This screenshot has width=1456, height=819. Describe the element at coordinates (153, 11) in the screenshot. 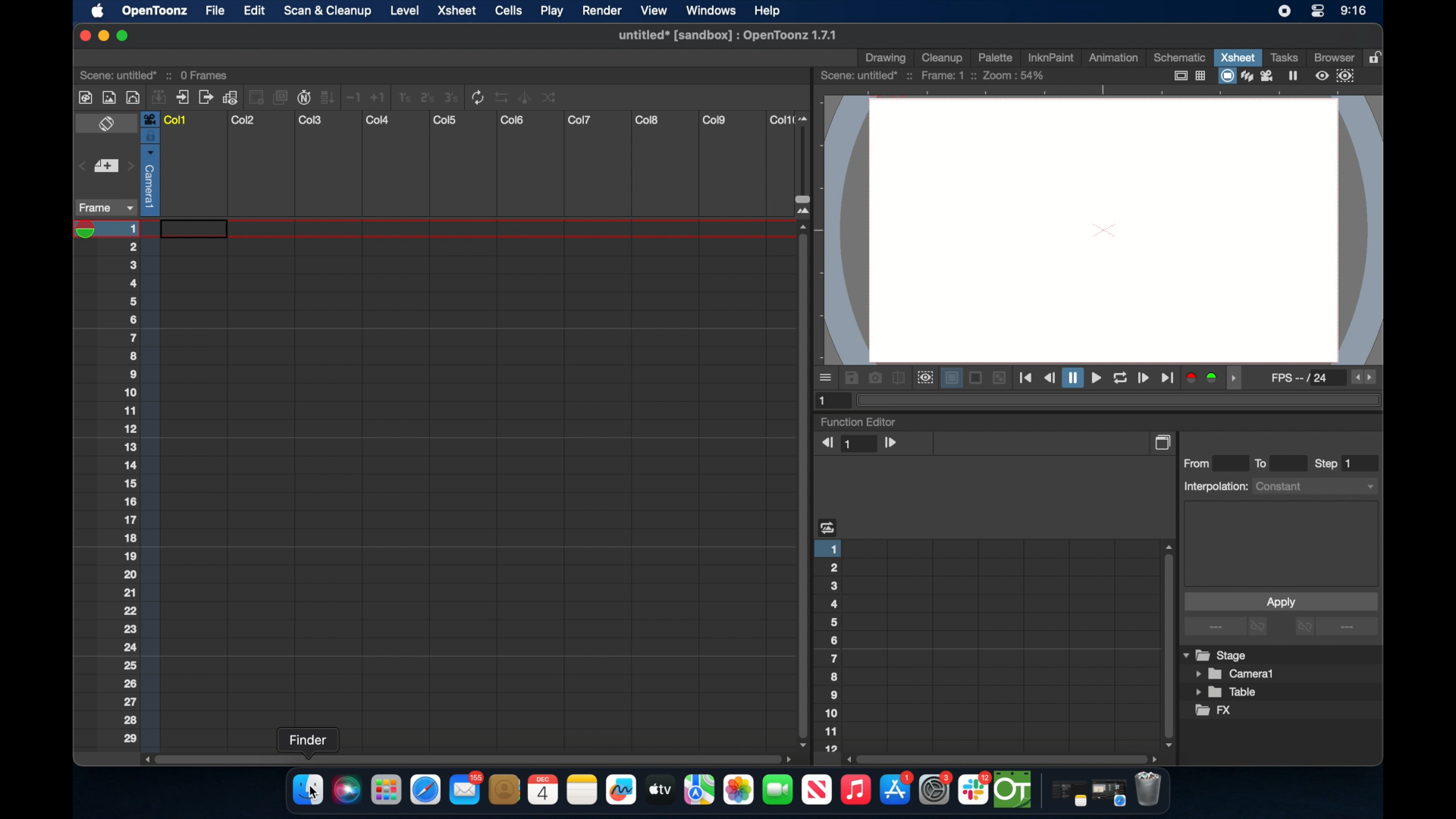

I see `opnetoonz` at that location.